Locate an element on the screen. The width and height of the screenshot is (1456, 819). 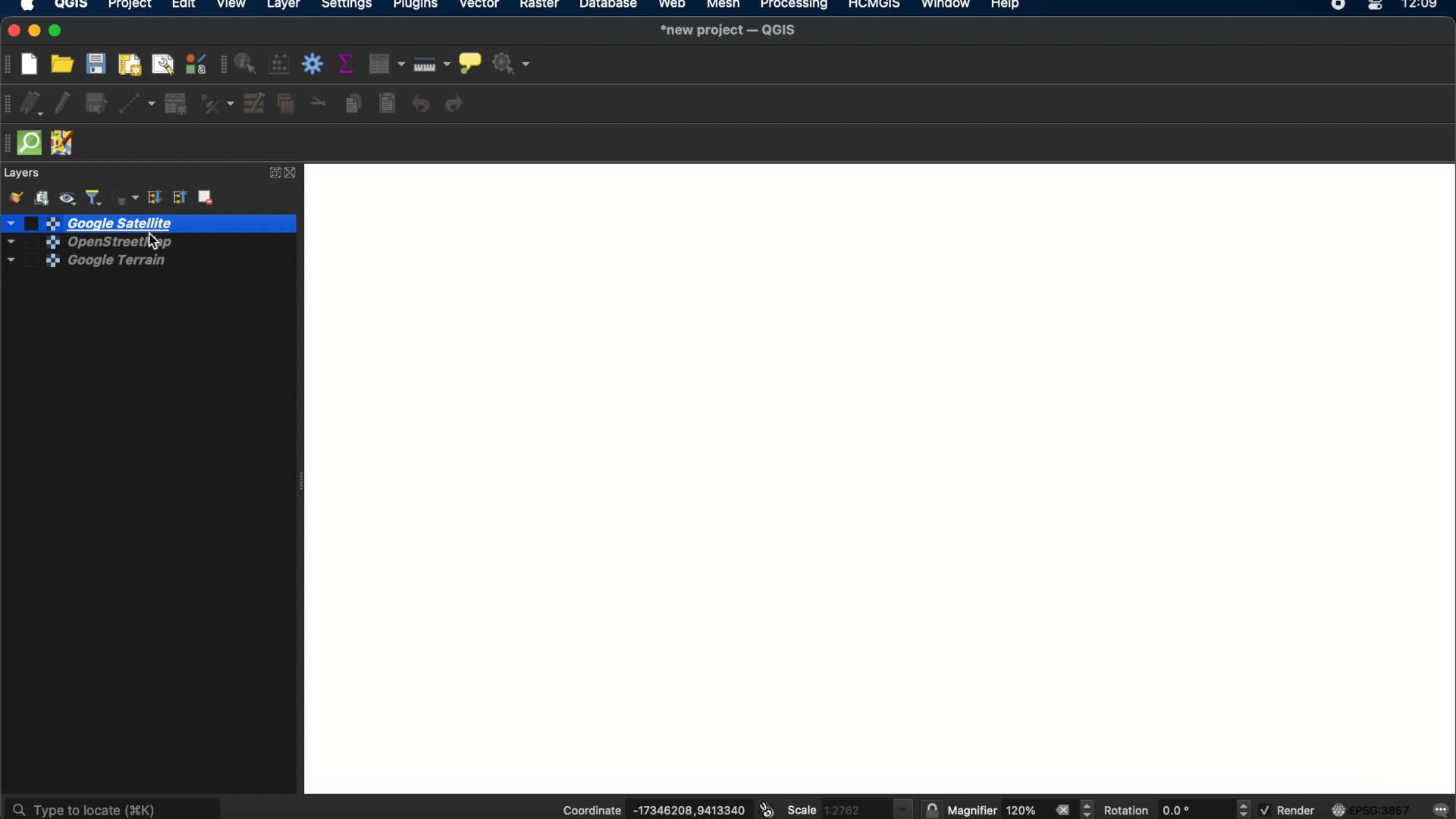
expand is located at coordinates (272, 173).